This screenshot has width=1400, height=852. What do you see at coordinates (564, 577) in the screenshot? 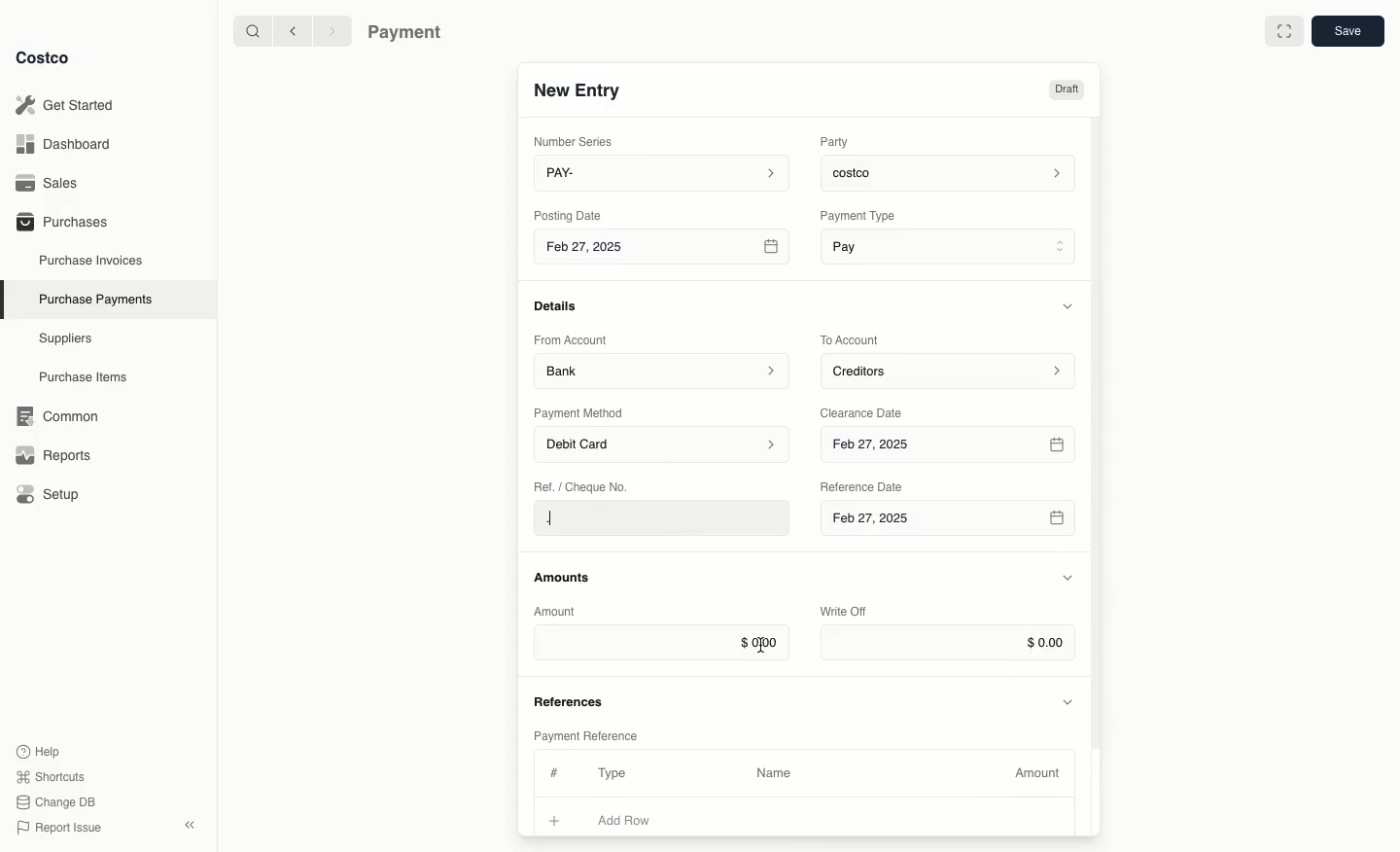
I see `Amounts` at bounding box center [564, 577].